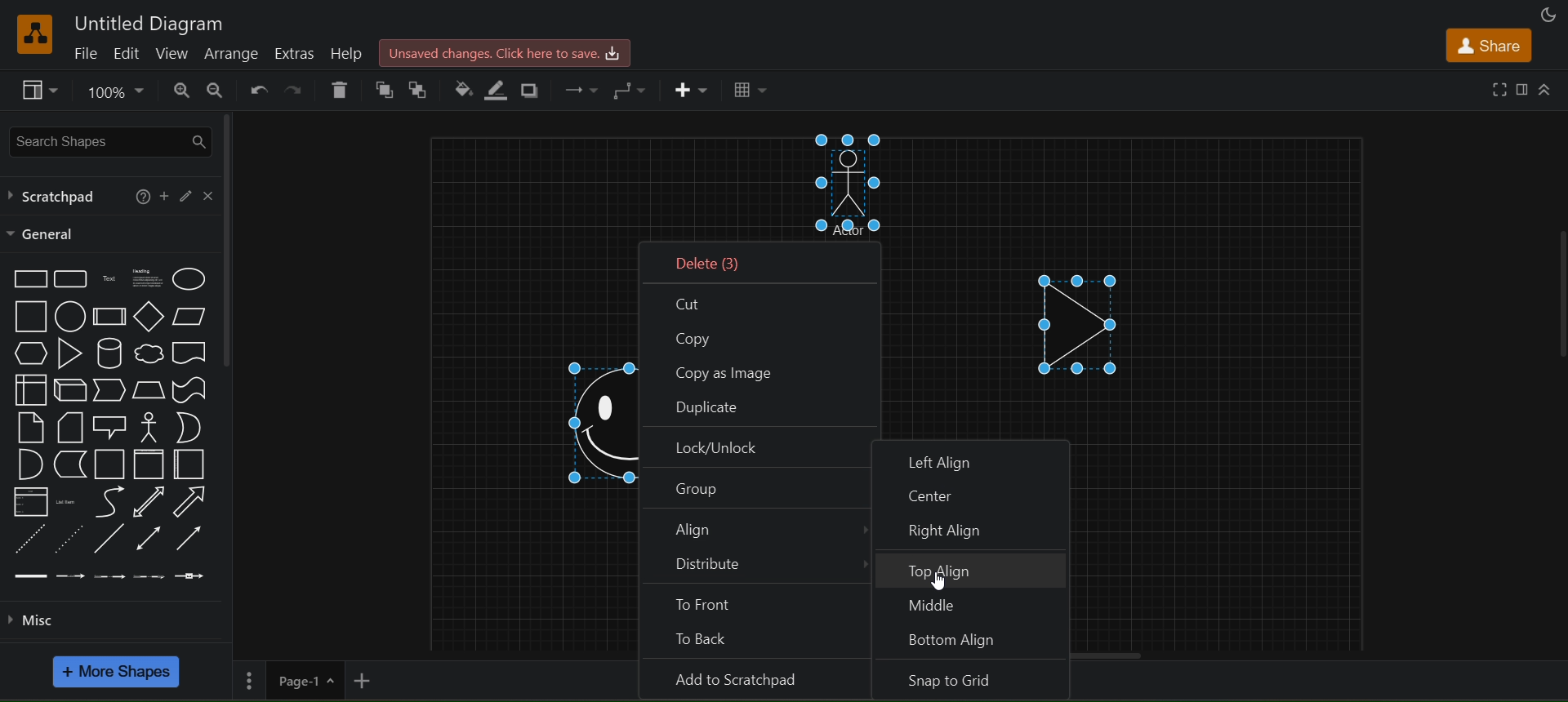  Describe the element at coordinates (149, 500) in the screenshot. I see `bidirectional arrow` at that location.